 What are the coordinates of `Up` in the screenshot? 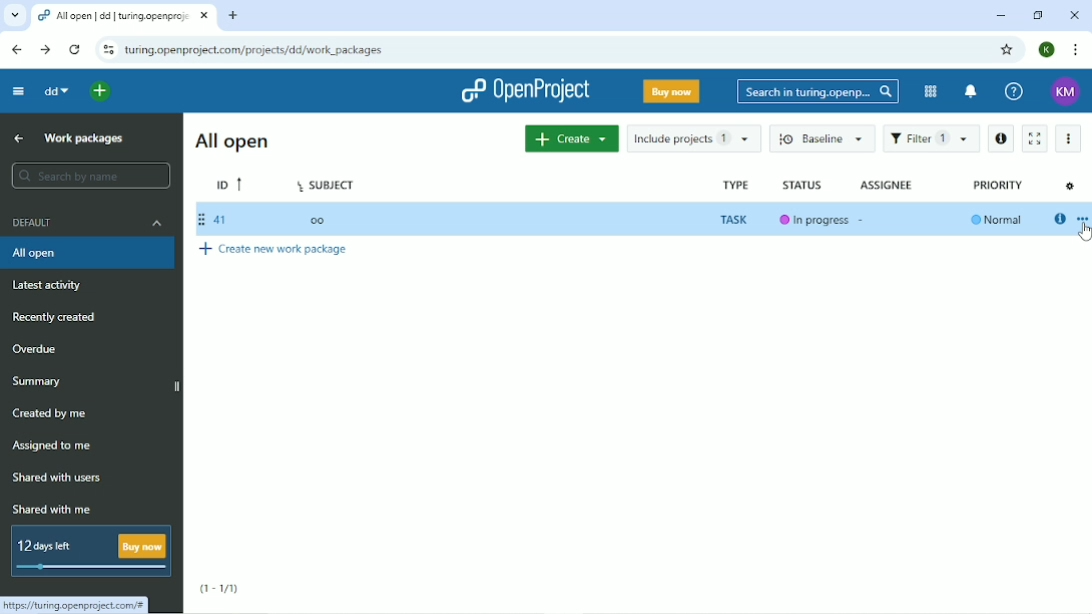 It's located at (16, 138).